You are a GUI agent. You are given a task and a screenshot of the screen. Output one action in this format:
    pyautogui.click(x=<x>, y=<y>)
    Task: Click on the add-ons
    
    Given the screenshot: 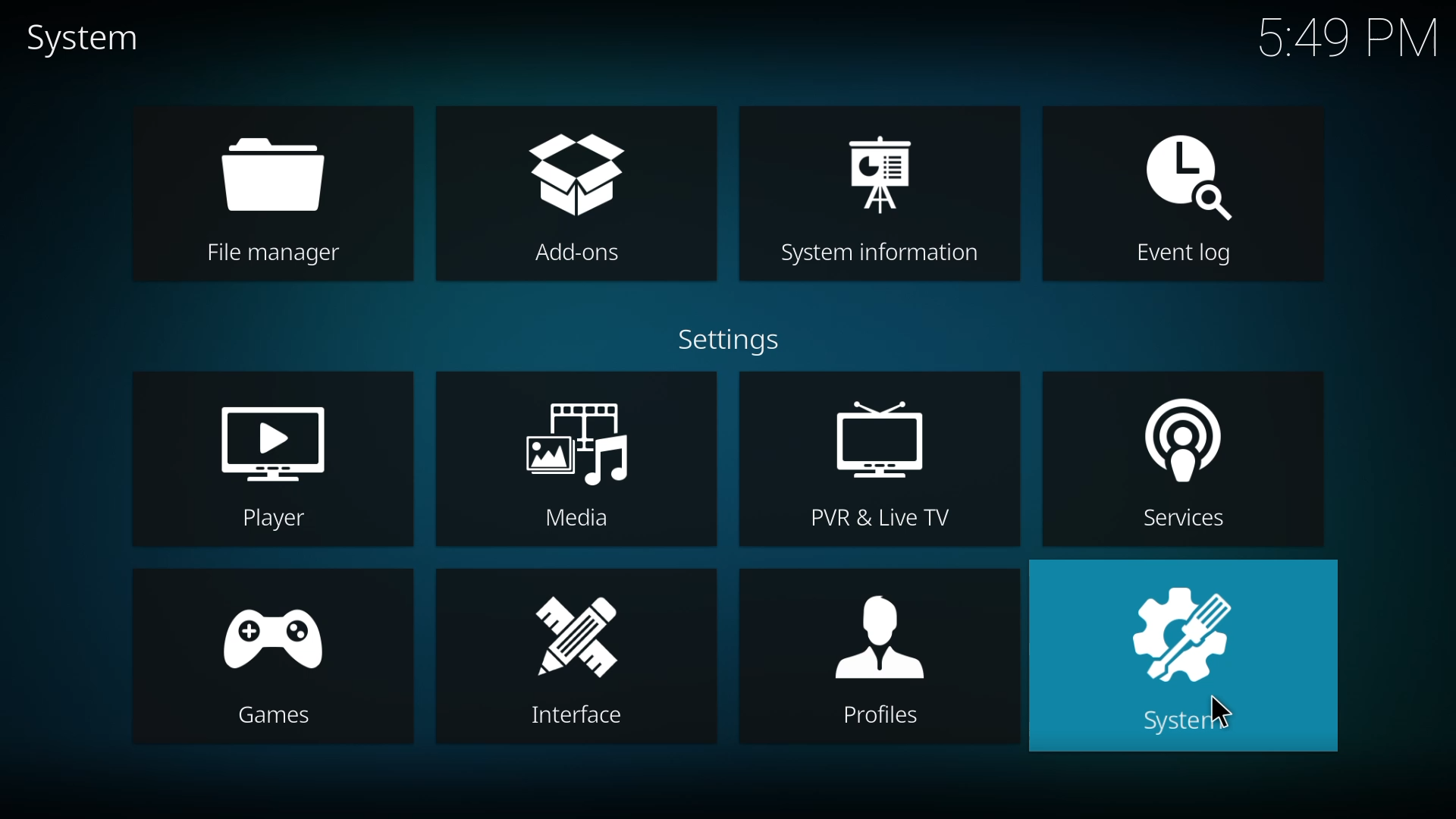 What is the action you would take?
    pyautogui.click(x=573, y=197)
    